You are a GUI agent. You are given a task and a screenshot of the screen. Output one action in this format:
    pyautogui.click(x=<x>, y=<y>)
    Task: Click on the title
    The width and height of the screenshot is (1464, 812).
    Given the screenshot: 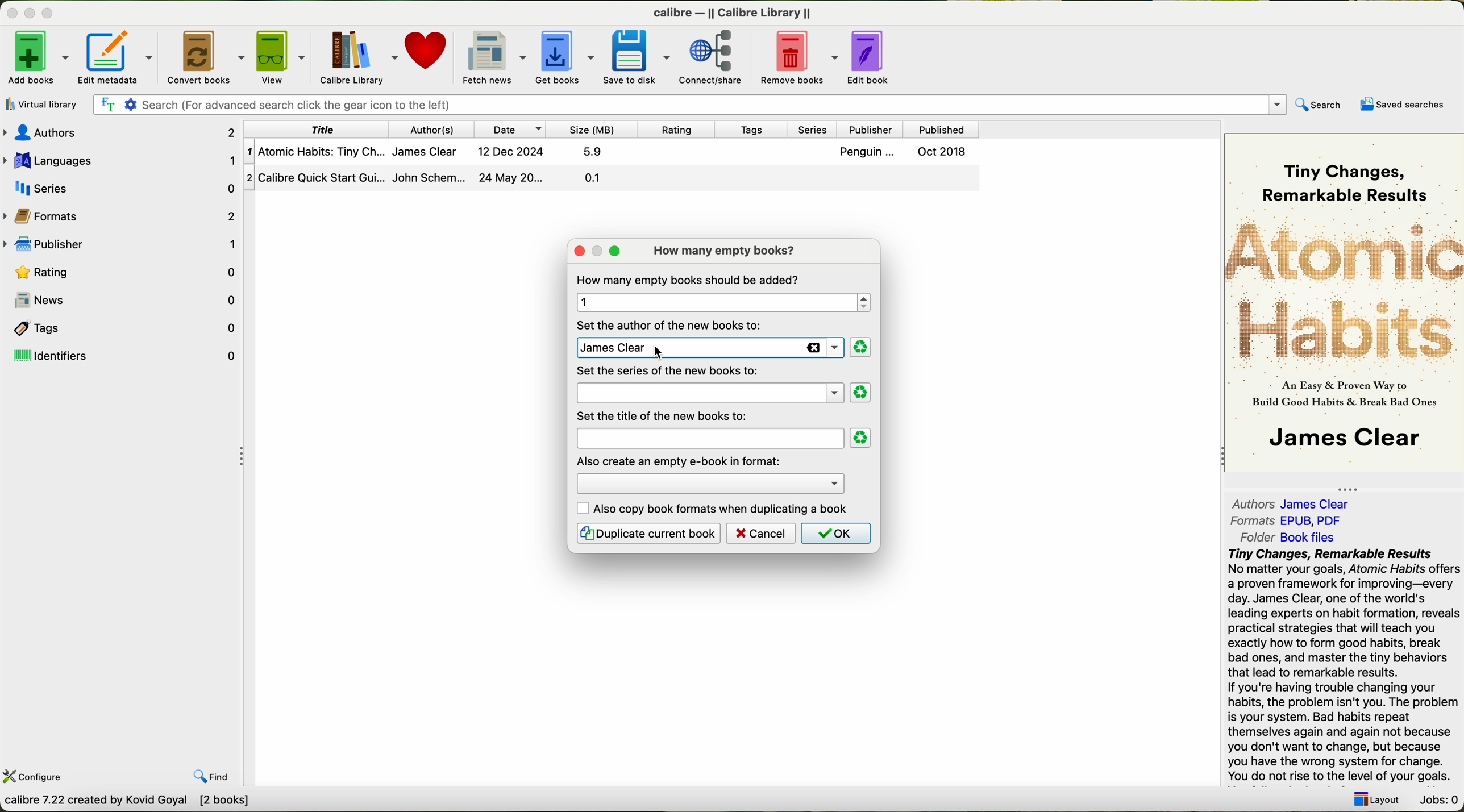 What is the action you would take?
    pyautogui.click(x=319, y=128)
    